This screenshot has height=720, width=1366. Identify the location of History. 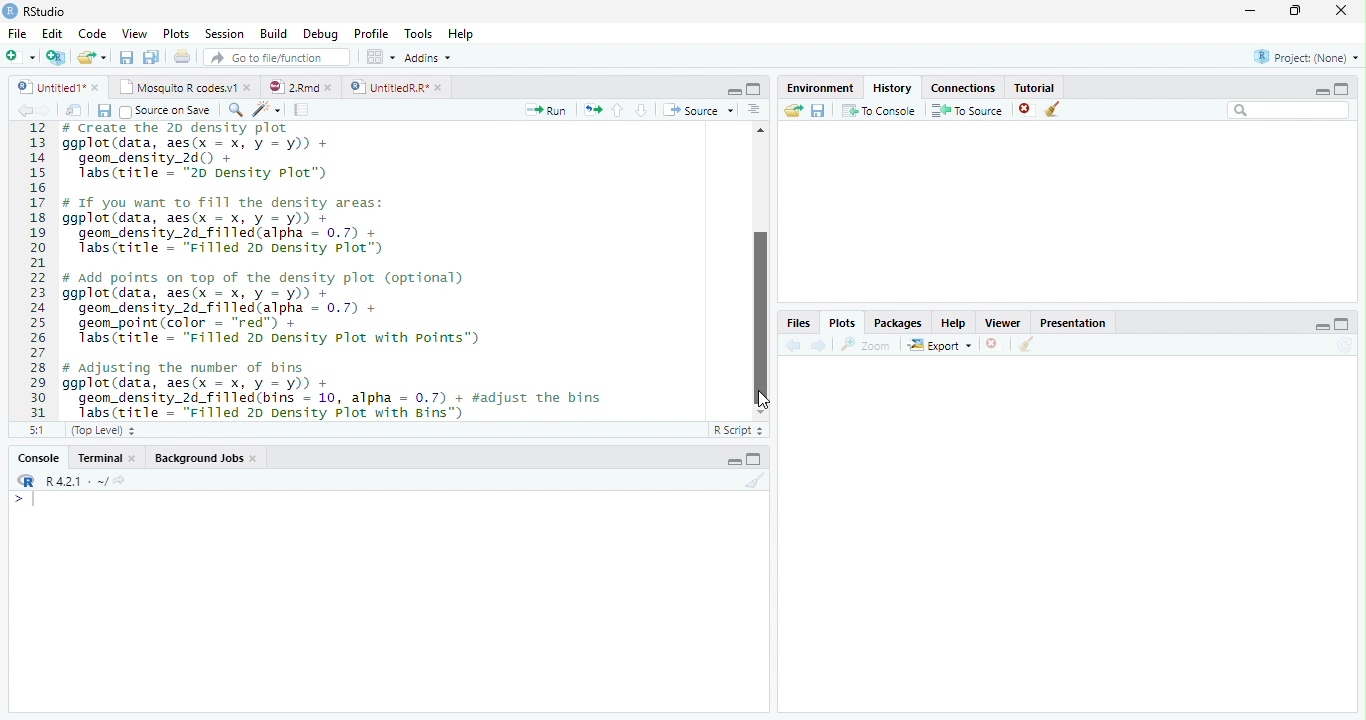
(892, 88).